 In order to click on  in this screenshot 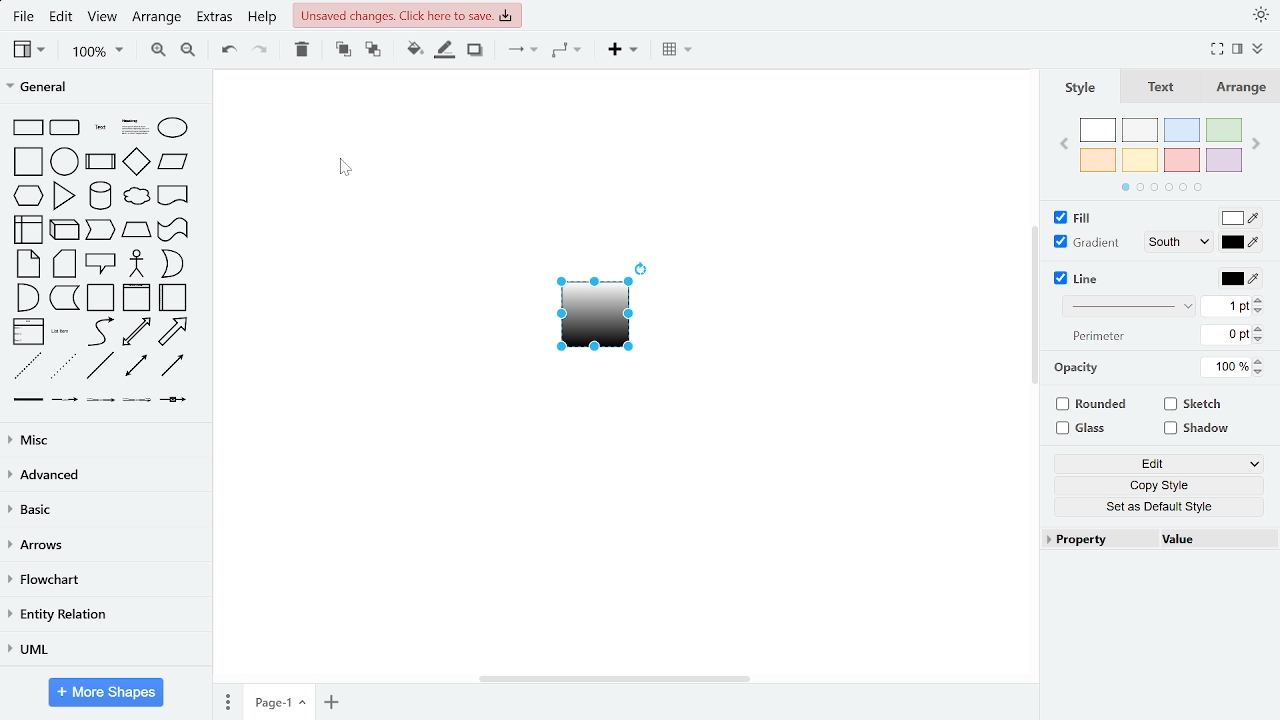, I will do `click(100, 400)`.